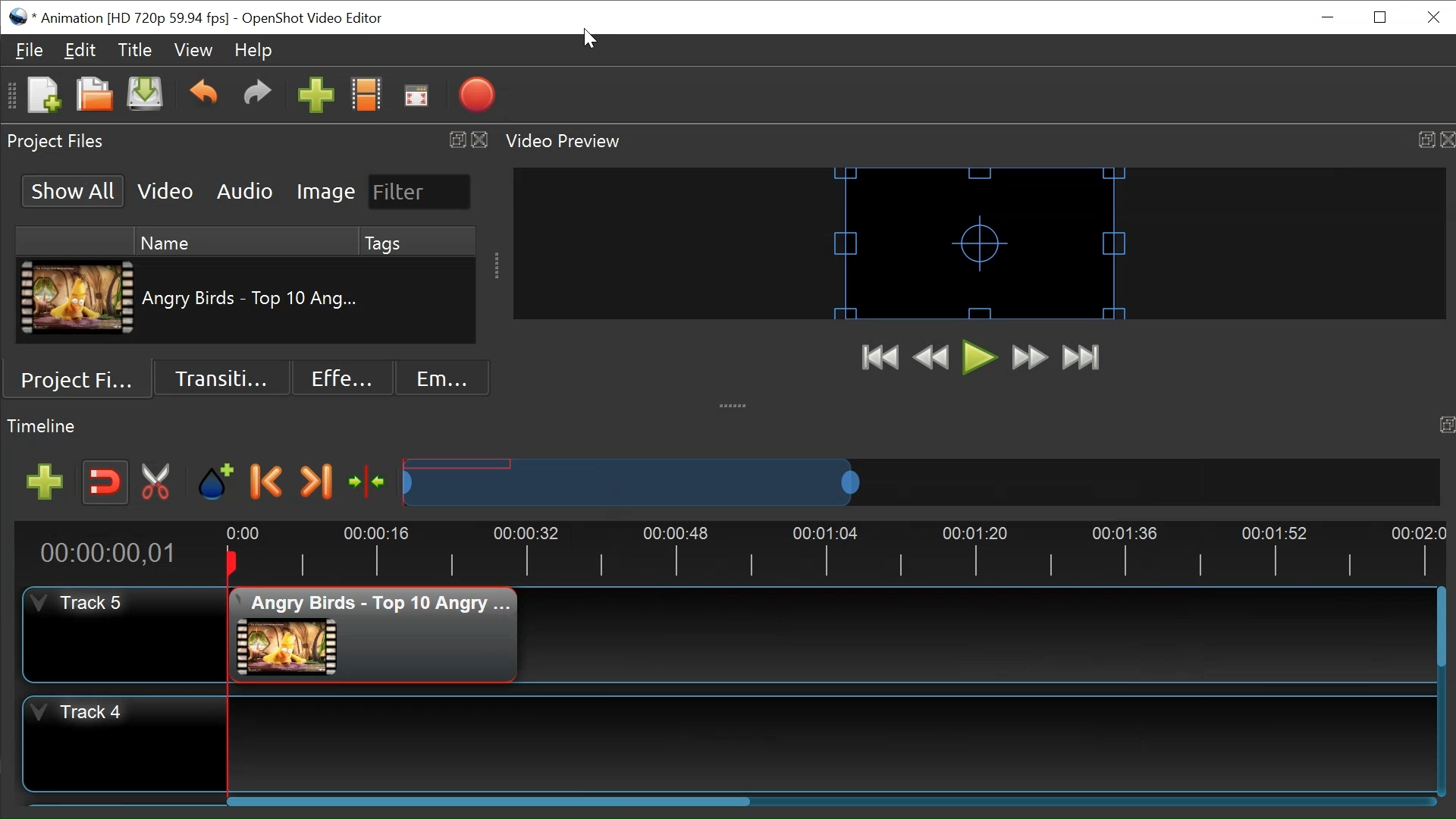 This screenshot has height=819, width=1456. What do you see at coordinates (416, 97) in the screenshot?
I see `Fullscreen` at bounding box center [416, 97].